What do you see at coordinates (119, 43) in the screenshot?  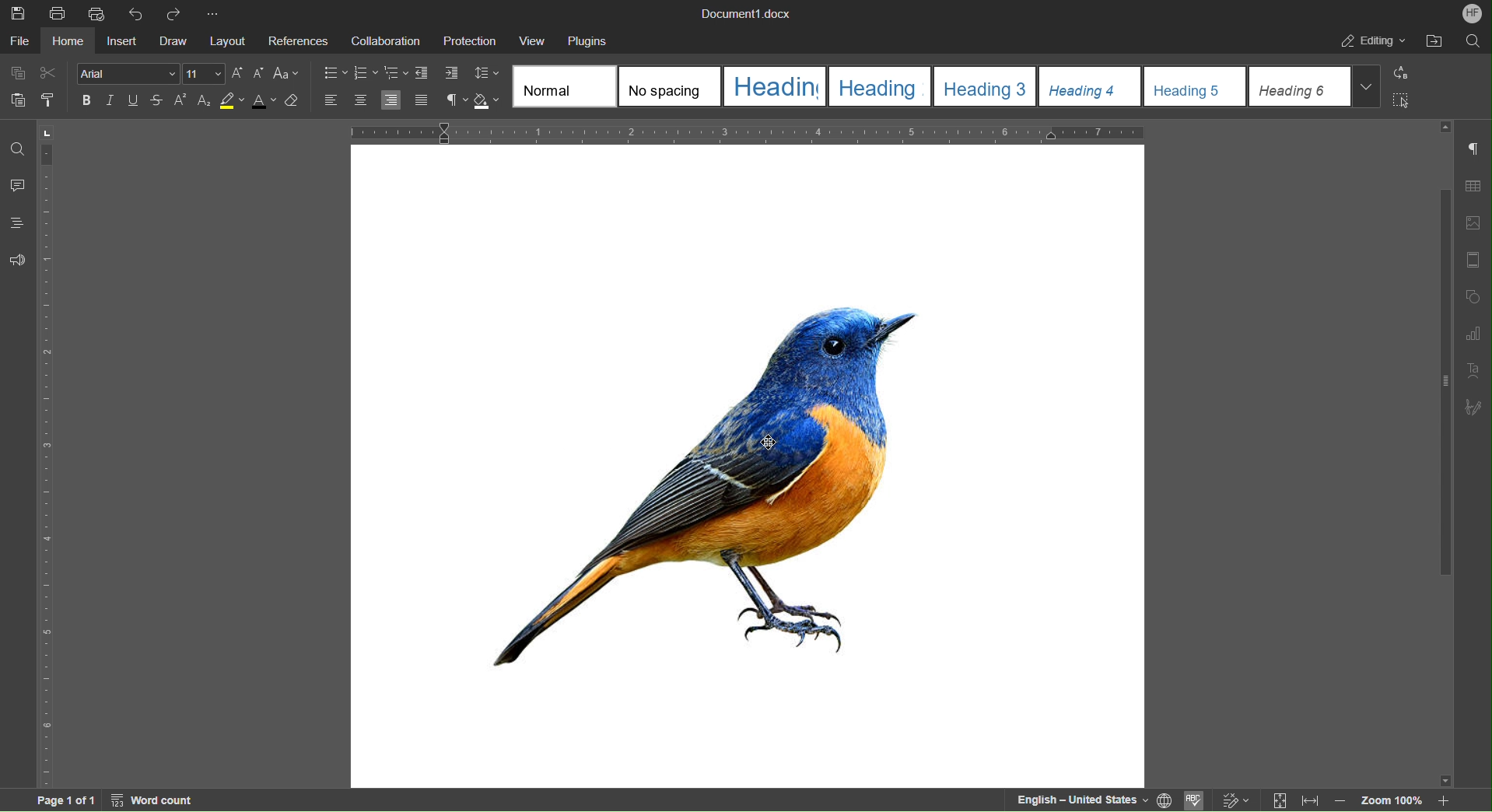 I see `Insert` at bounding box center [119, 43].